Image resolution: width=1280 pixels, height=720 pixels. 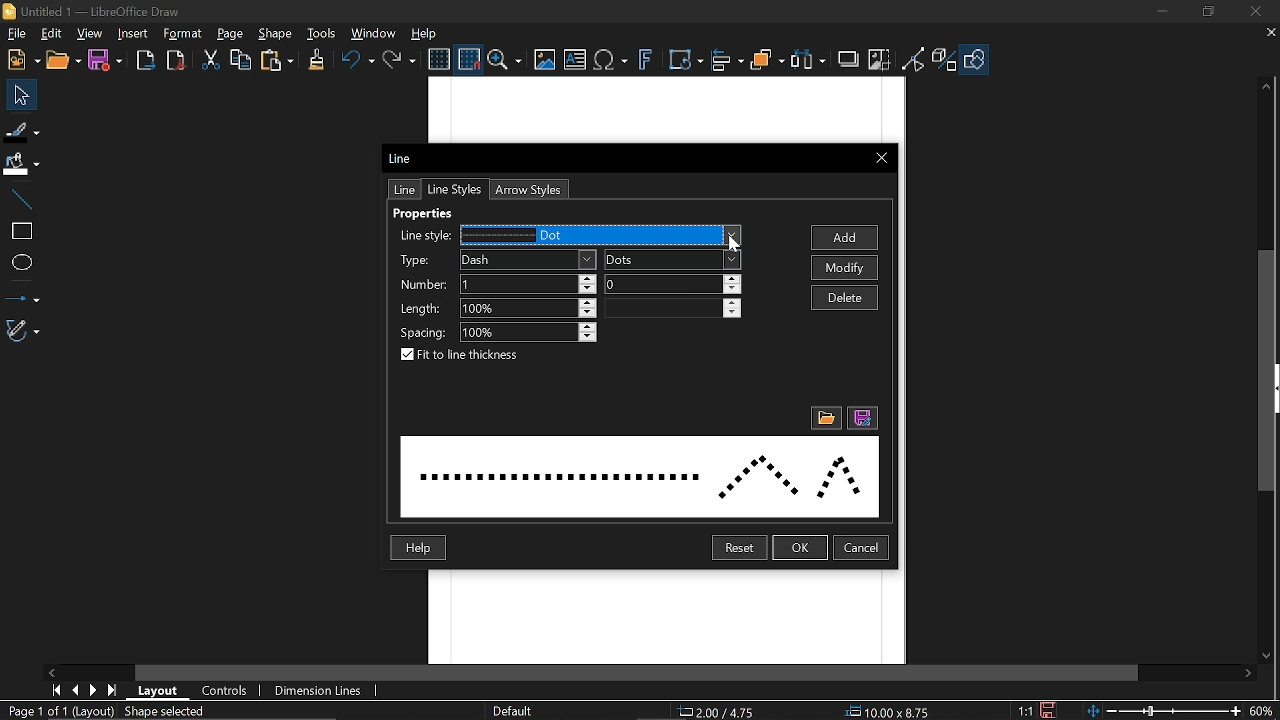 What do you see at coordinates (1023, 710) in the screenshot?
I see `proportion` at bounding box center [1023, 710].